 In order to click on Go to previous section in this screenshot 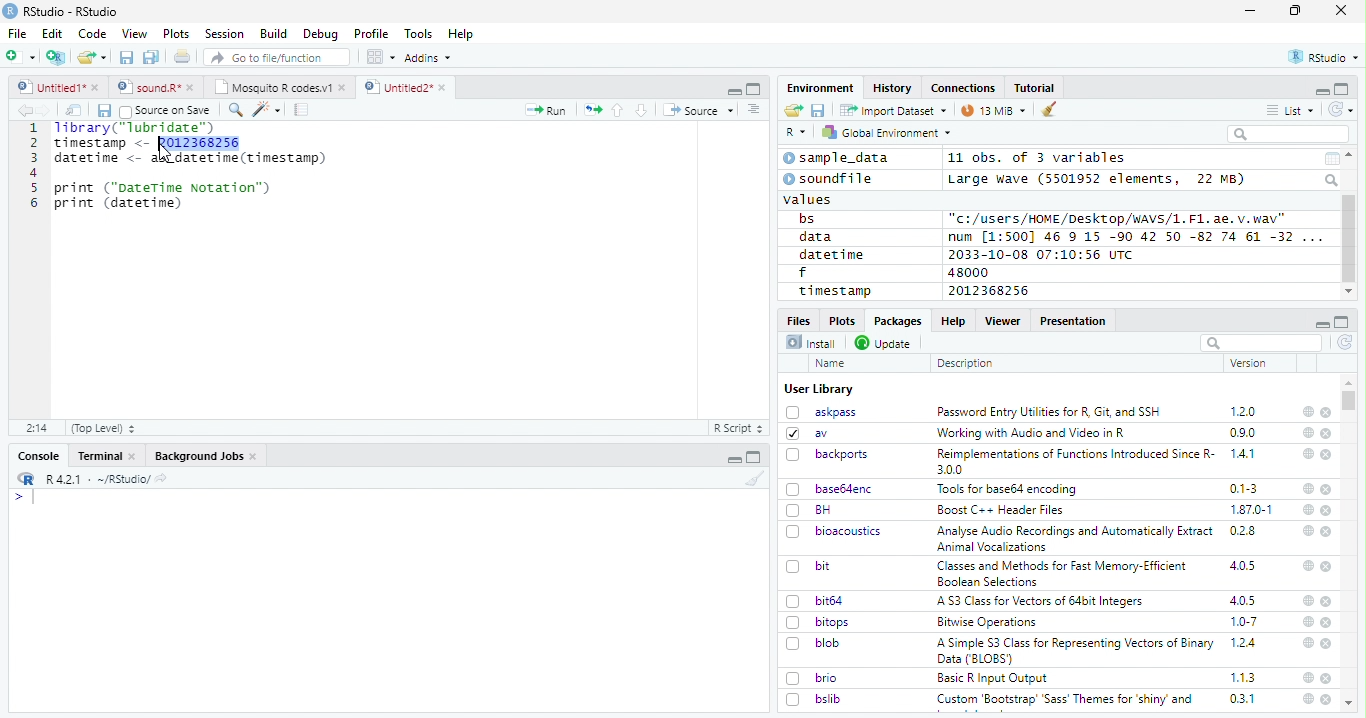, I will do `click(619, 110)`.